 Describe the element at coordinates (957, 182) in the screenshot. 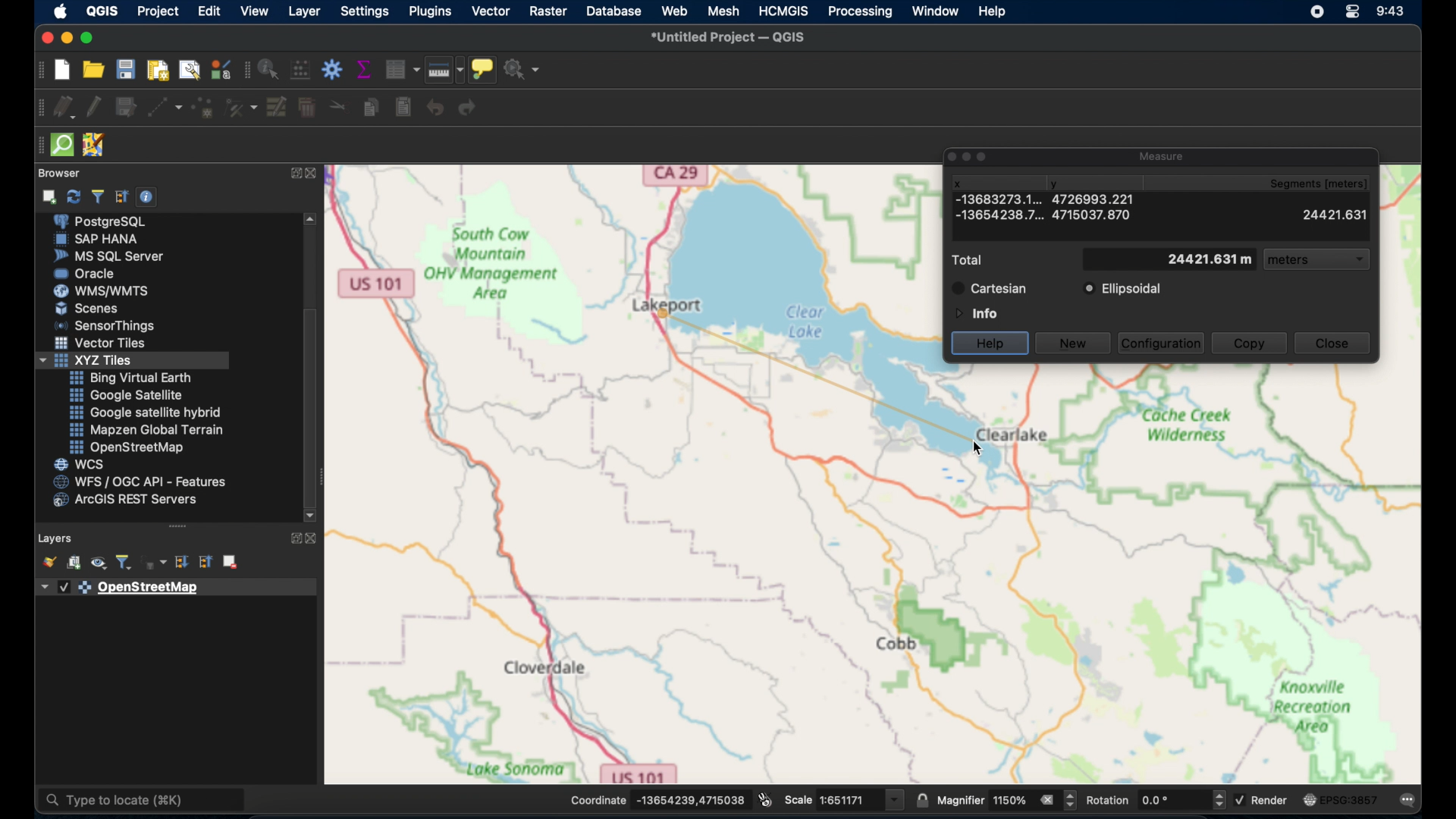

I see `x` at that location.